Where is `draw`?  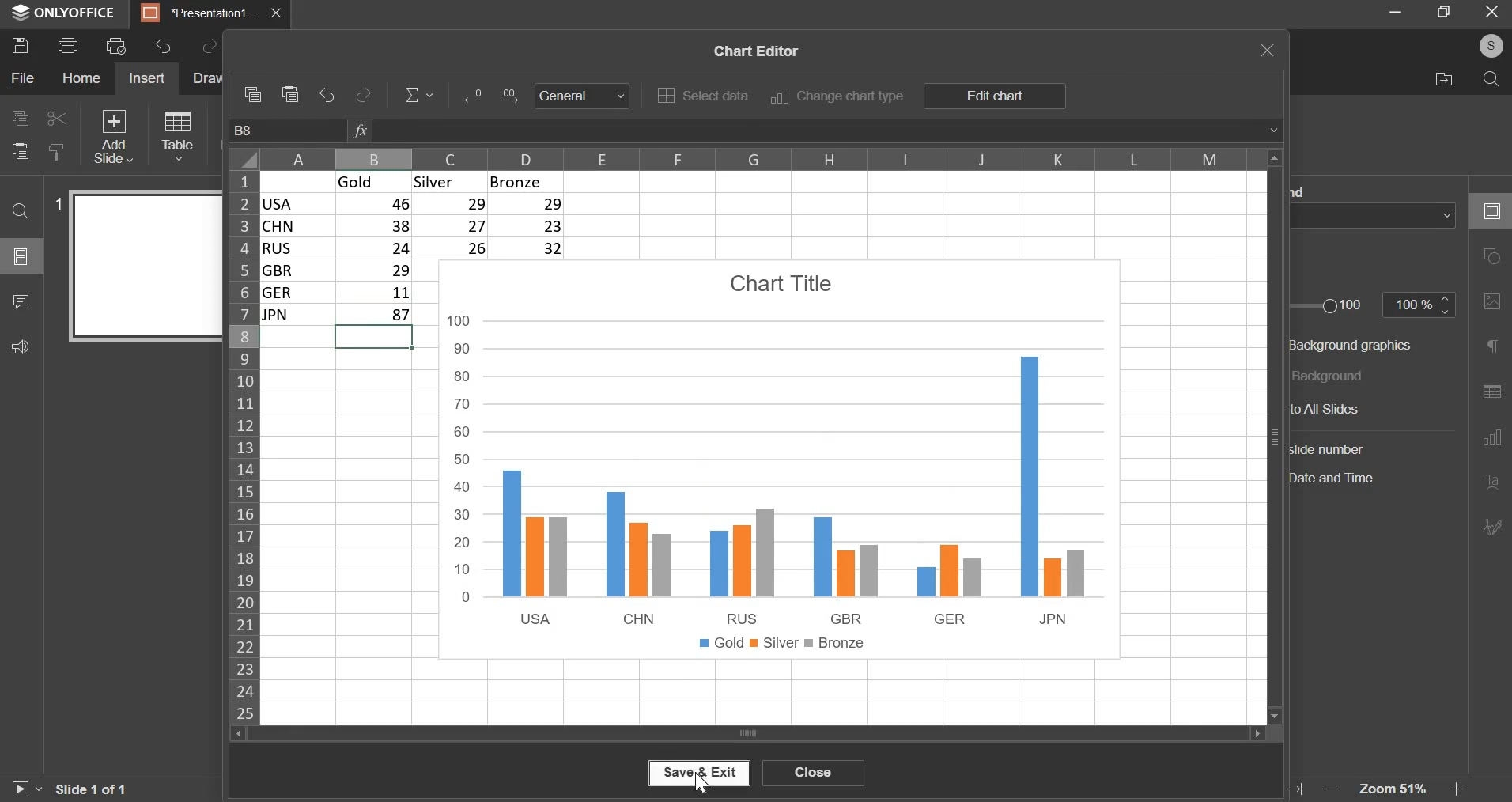 draw is located at coordinates (209, 78).